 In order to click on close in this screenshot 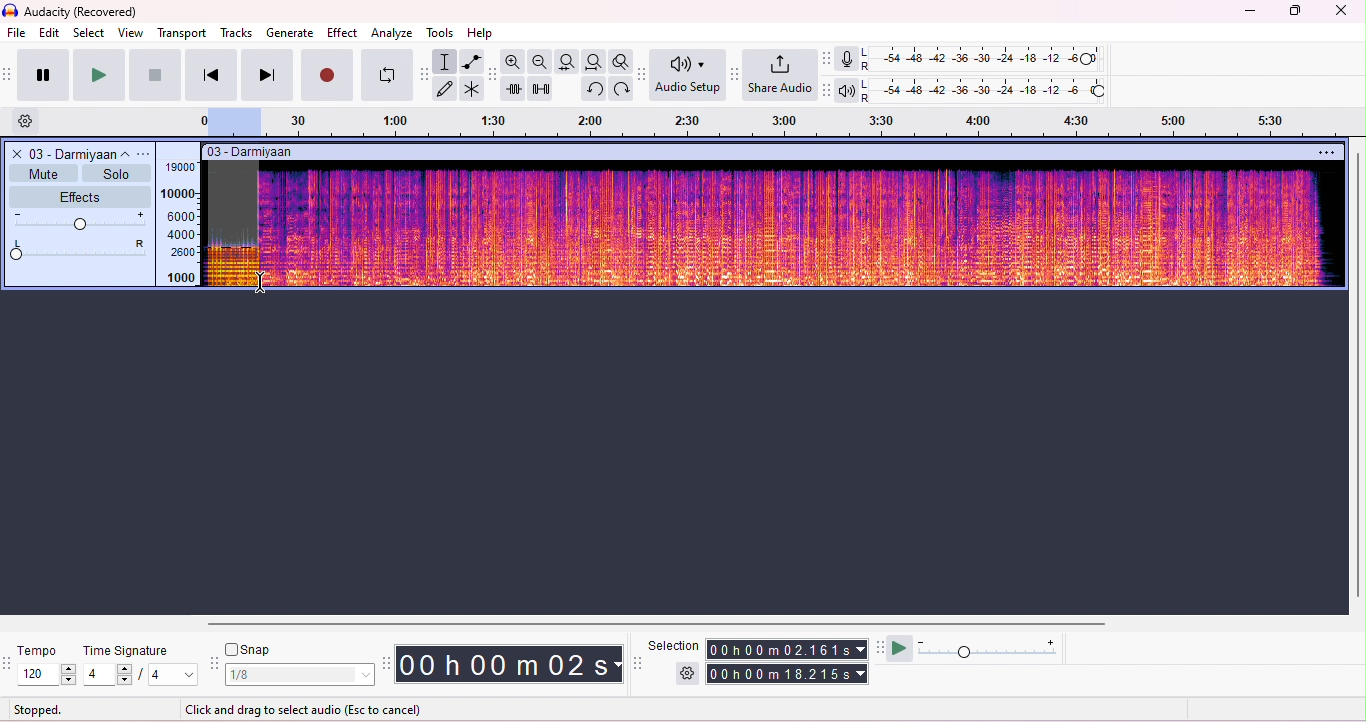, I will do `click(1340, 12)`.